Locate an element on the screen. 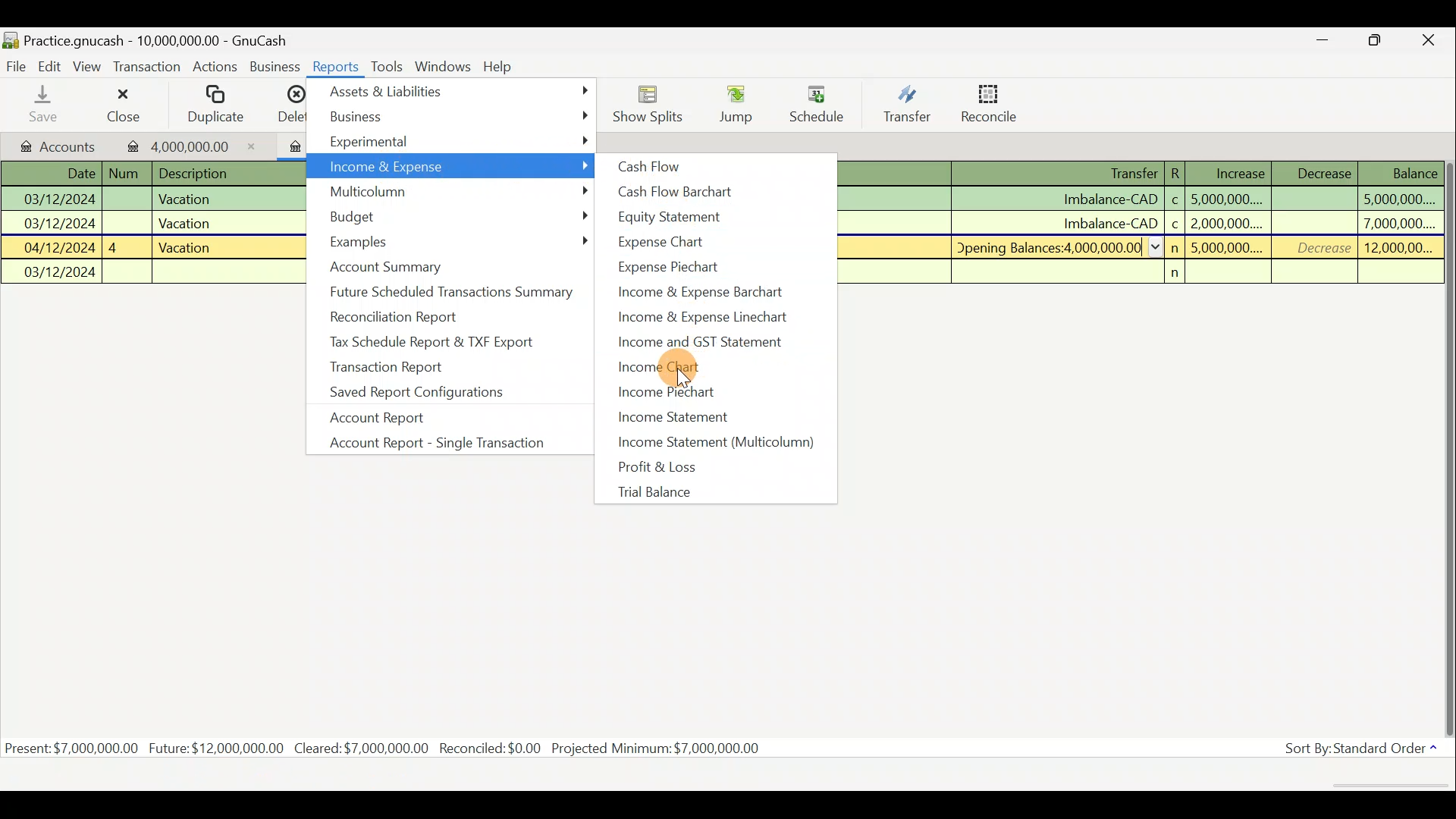 This screenshot has height=819, width=1456. Description is located at coordinates (194, 174).